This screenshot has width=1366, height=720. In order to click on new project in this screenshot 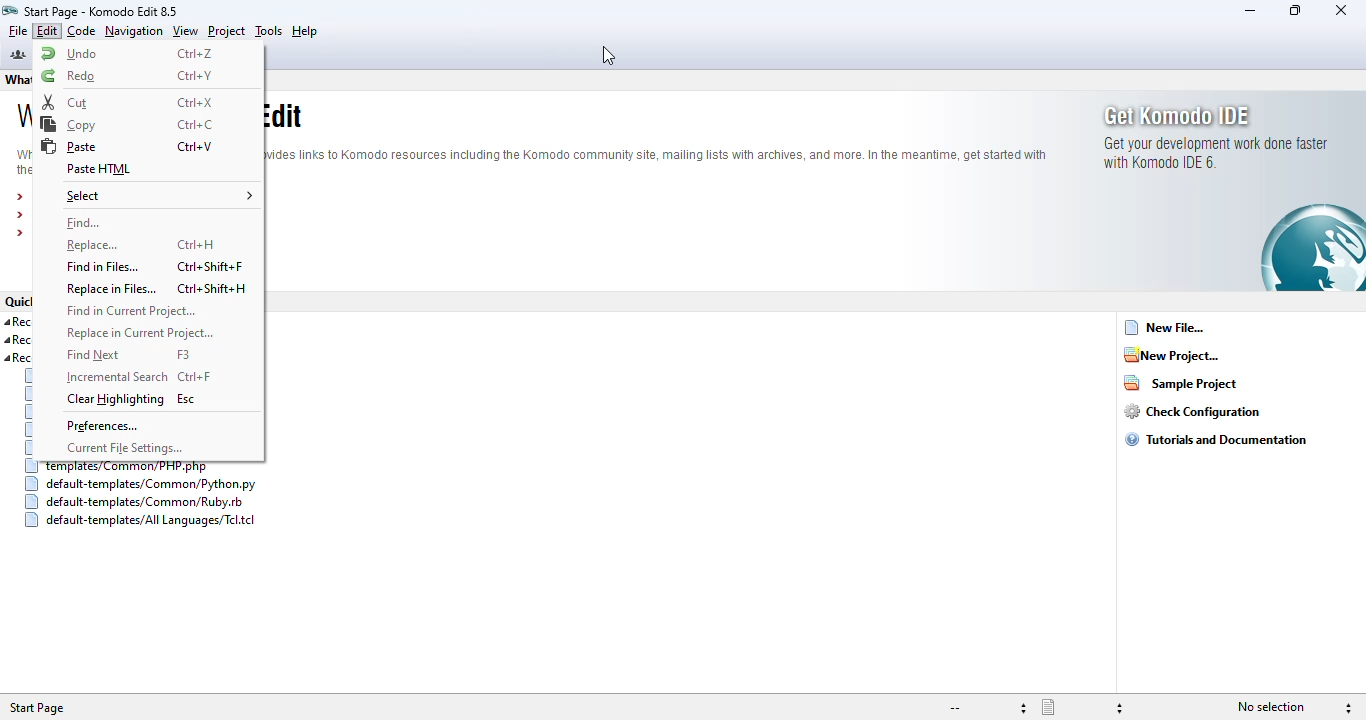, I will do `click(1172, 354)`.